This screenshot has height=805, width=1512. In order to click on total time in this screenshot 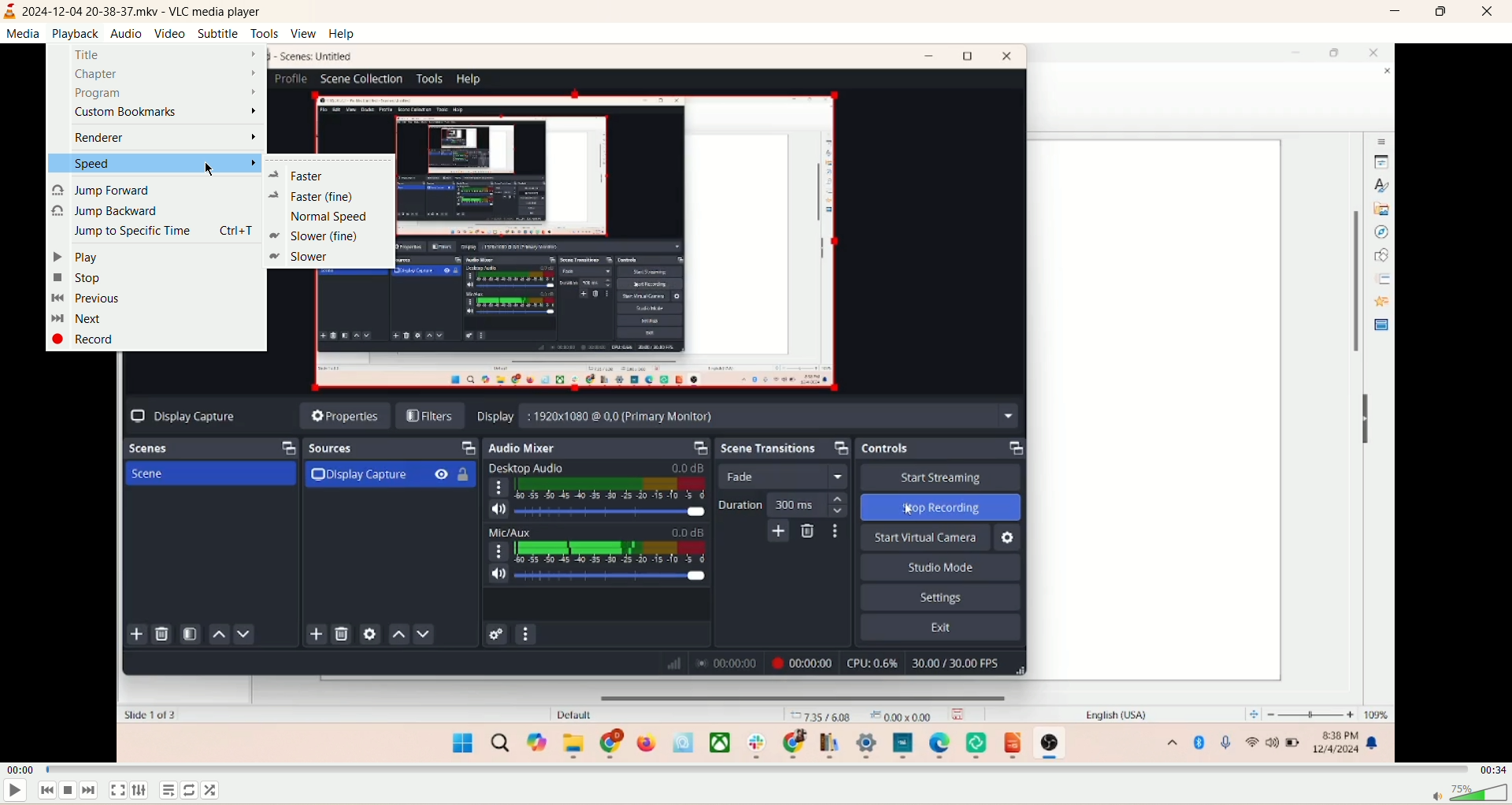, I will do `click(1492, 769)`.